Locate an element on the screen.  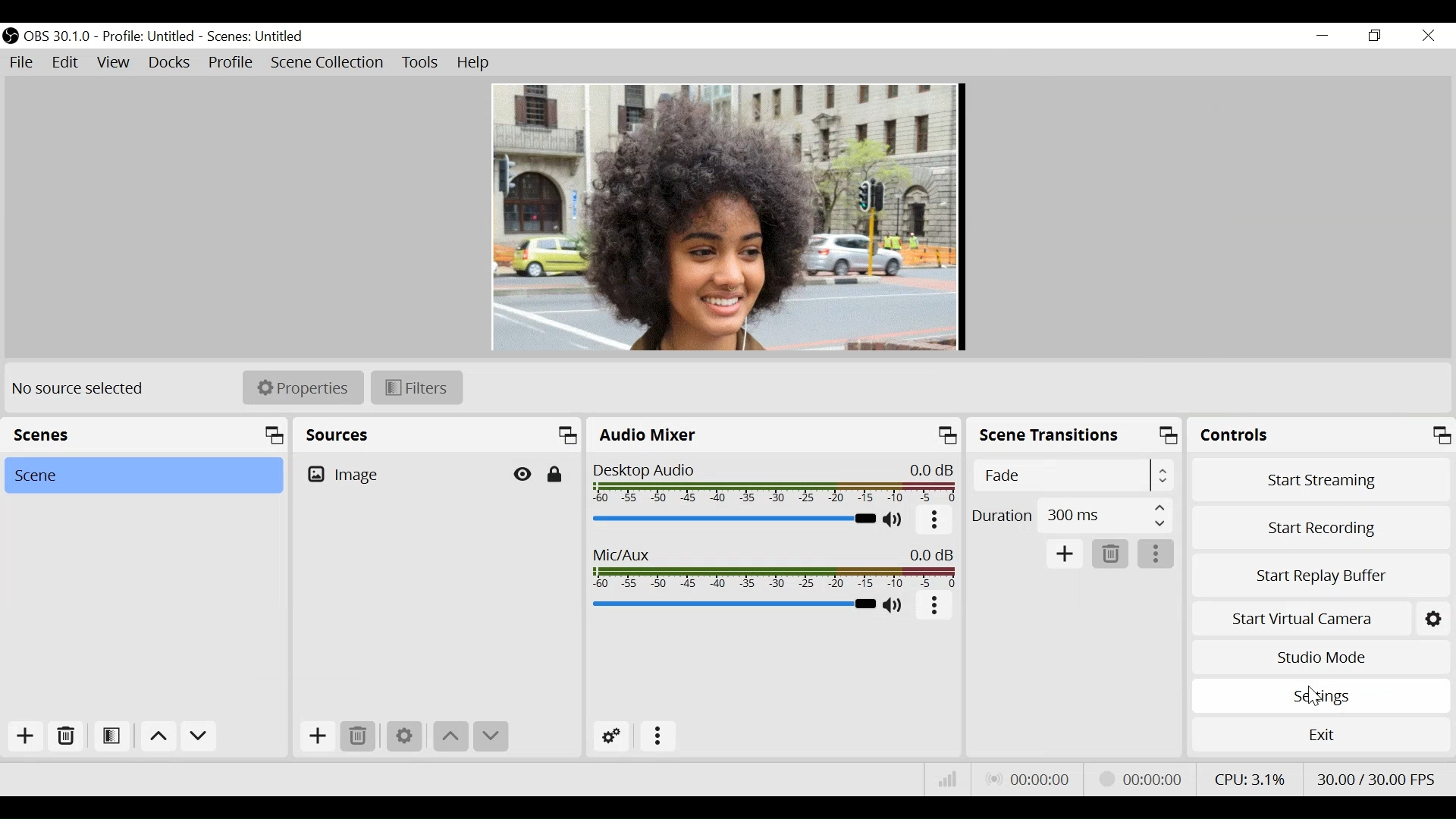
more options is located at coordinates (935, 606).